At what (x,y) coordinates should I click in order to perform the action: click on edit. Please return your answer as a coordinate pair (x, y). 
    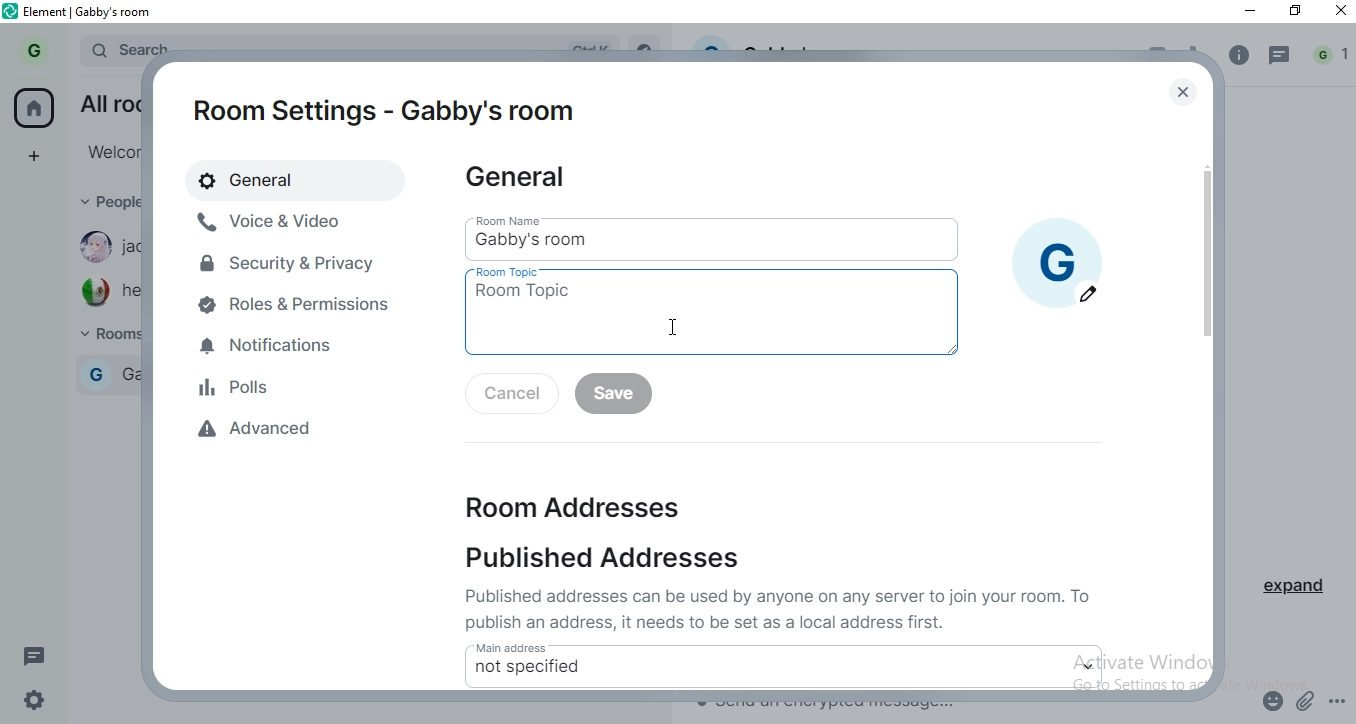
    Looking at the image, I should click on (1089, 294).